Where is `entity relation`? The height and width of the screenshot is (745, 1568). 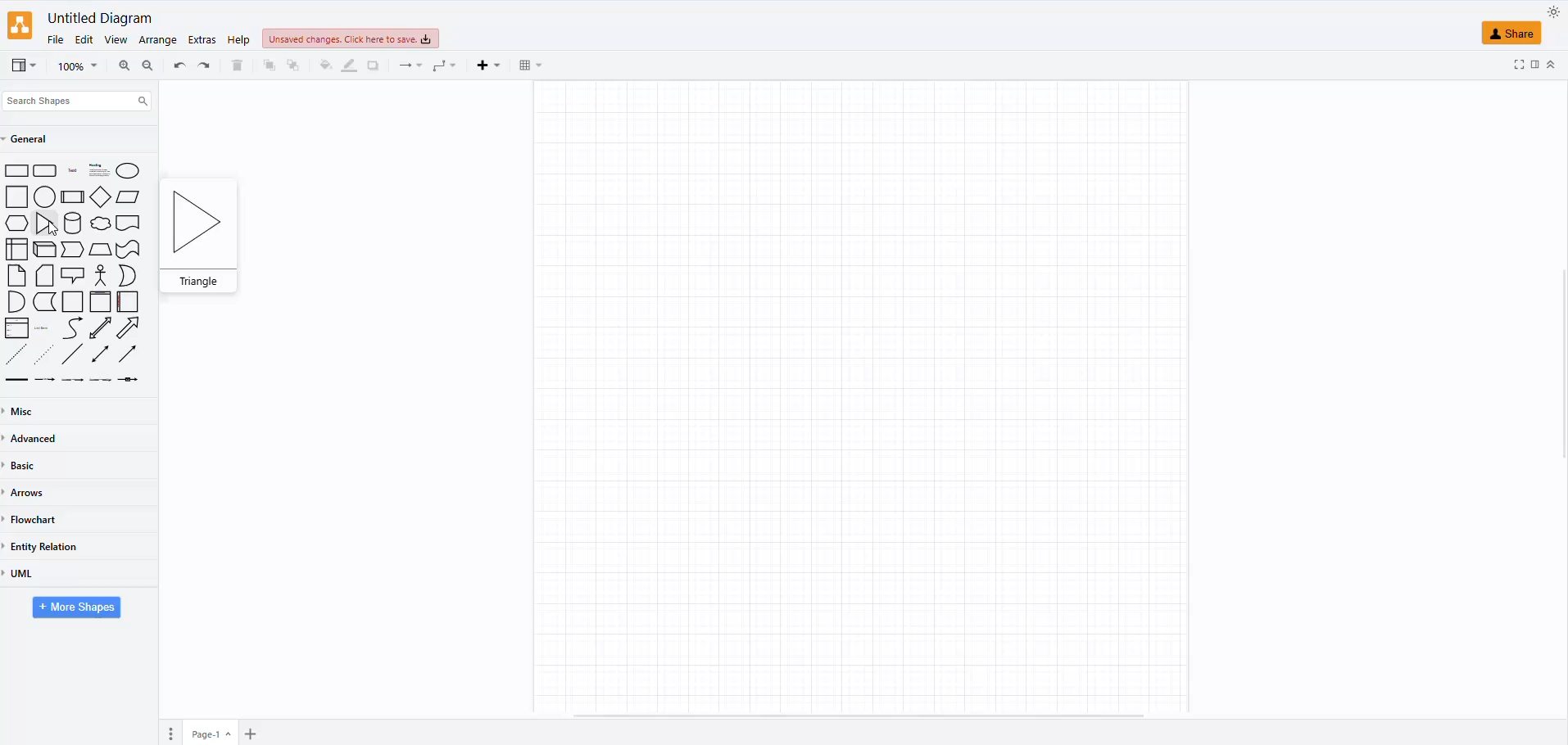 entity relation is located at coordinates (53, 542).